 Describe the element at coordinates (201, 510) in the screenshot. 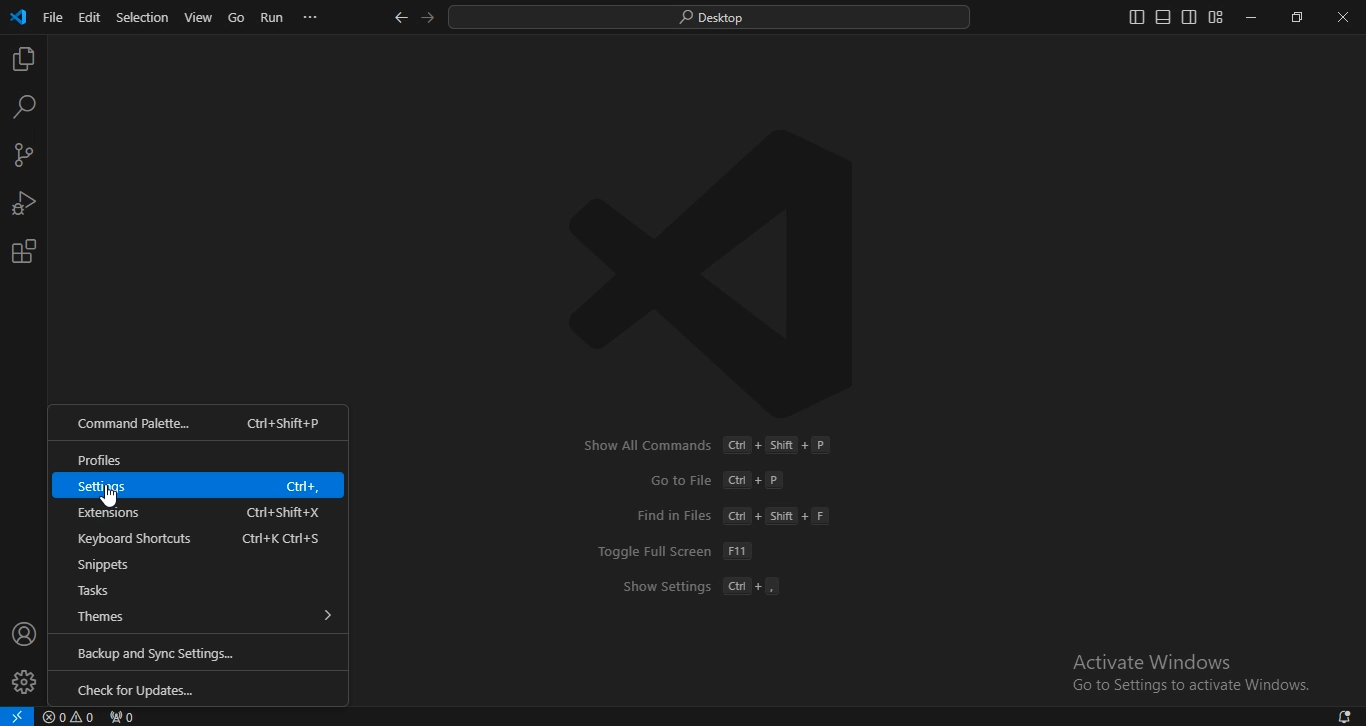

I see `extensions` at that location.